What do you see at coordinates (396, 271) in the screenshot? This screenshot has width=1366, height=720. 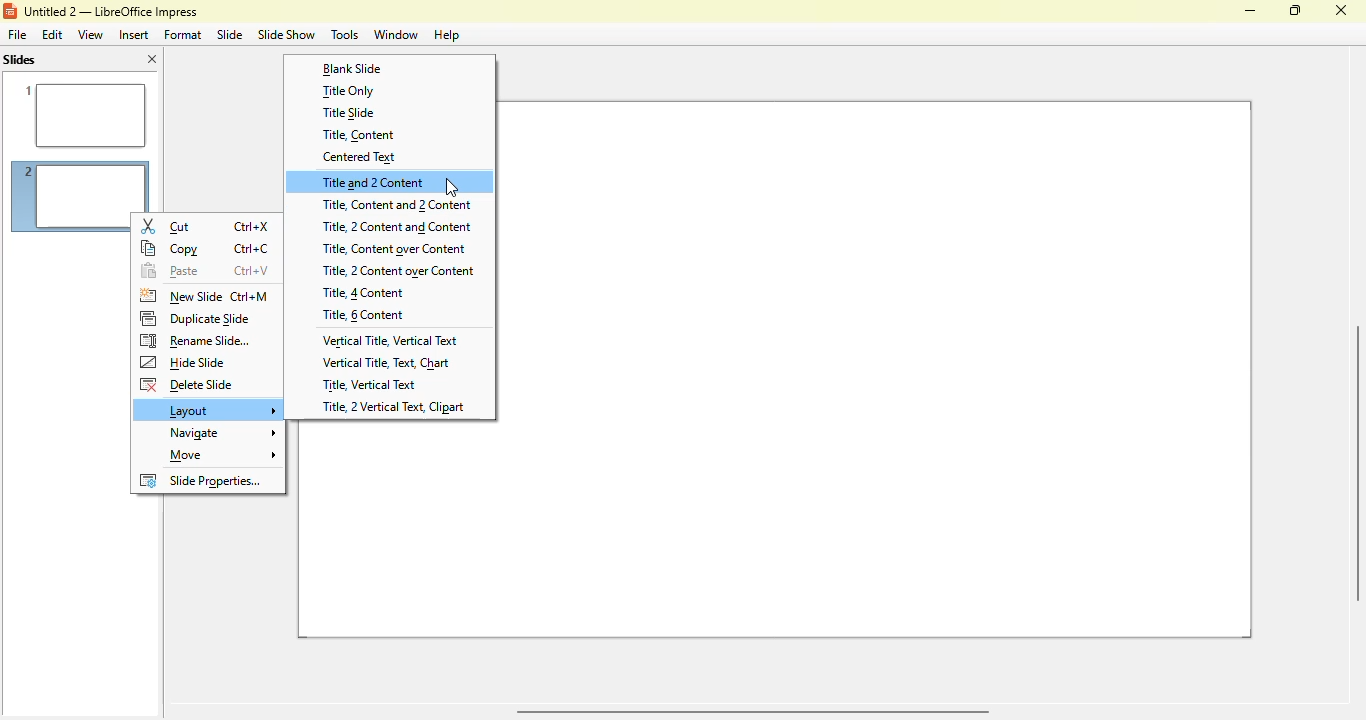 I see `title, 2 content over content` at bounding box center [396, 271].